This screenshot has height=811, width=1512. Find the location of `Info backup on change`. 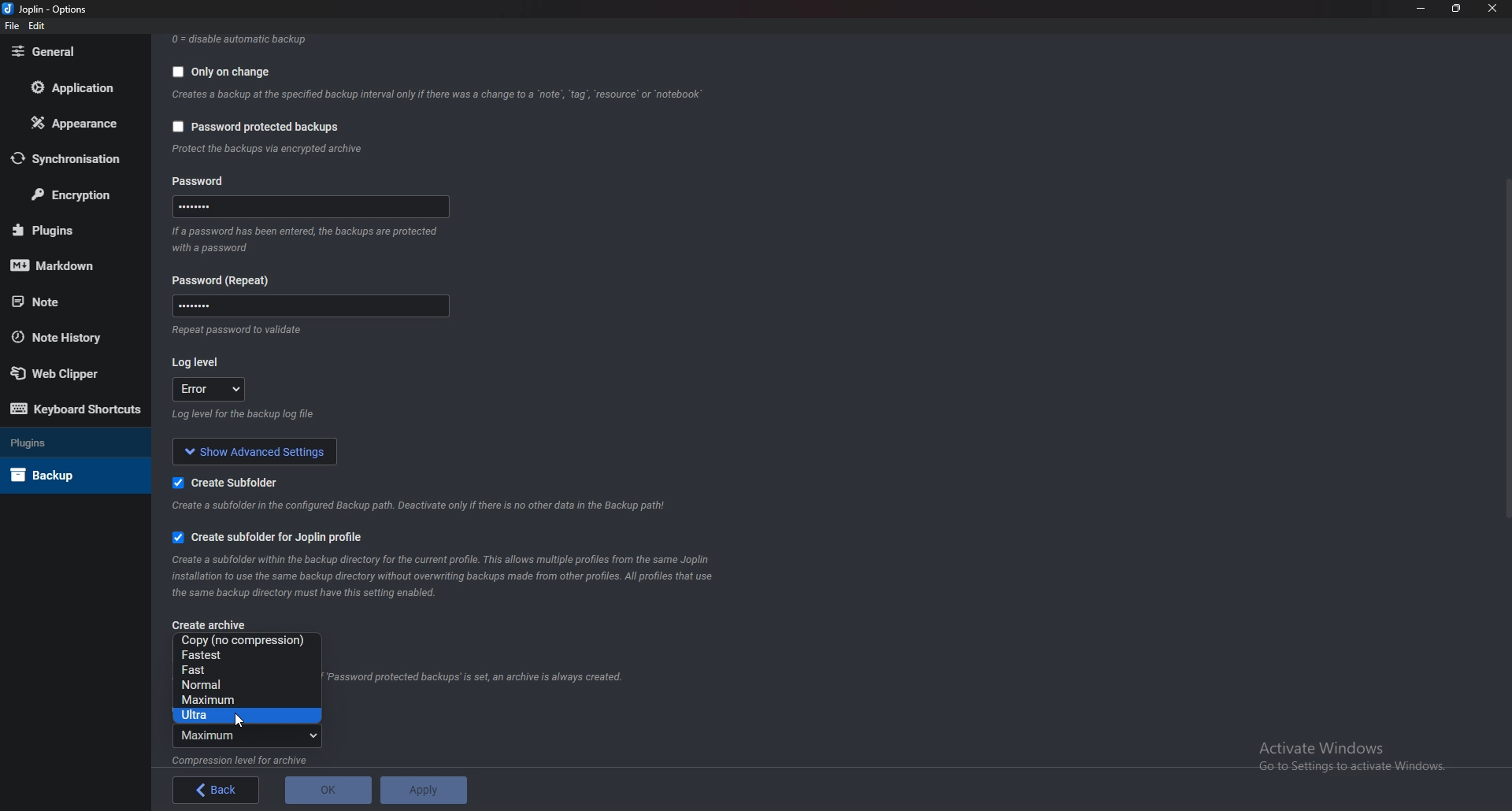

Info backup on change is located at coordinates (439, 95).